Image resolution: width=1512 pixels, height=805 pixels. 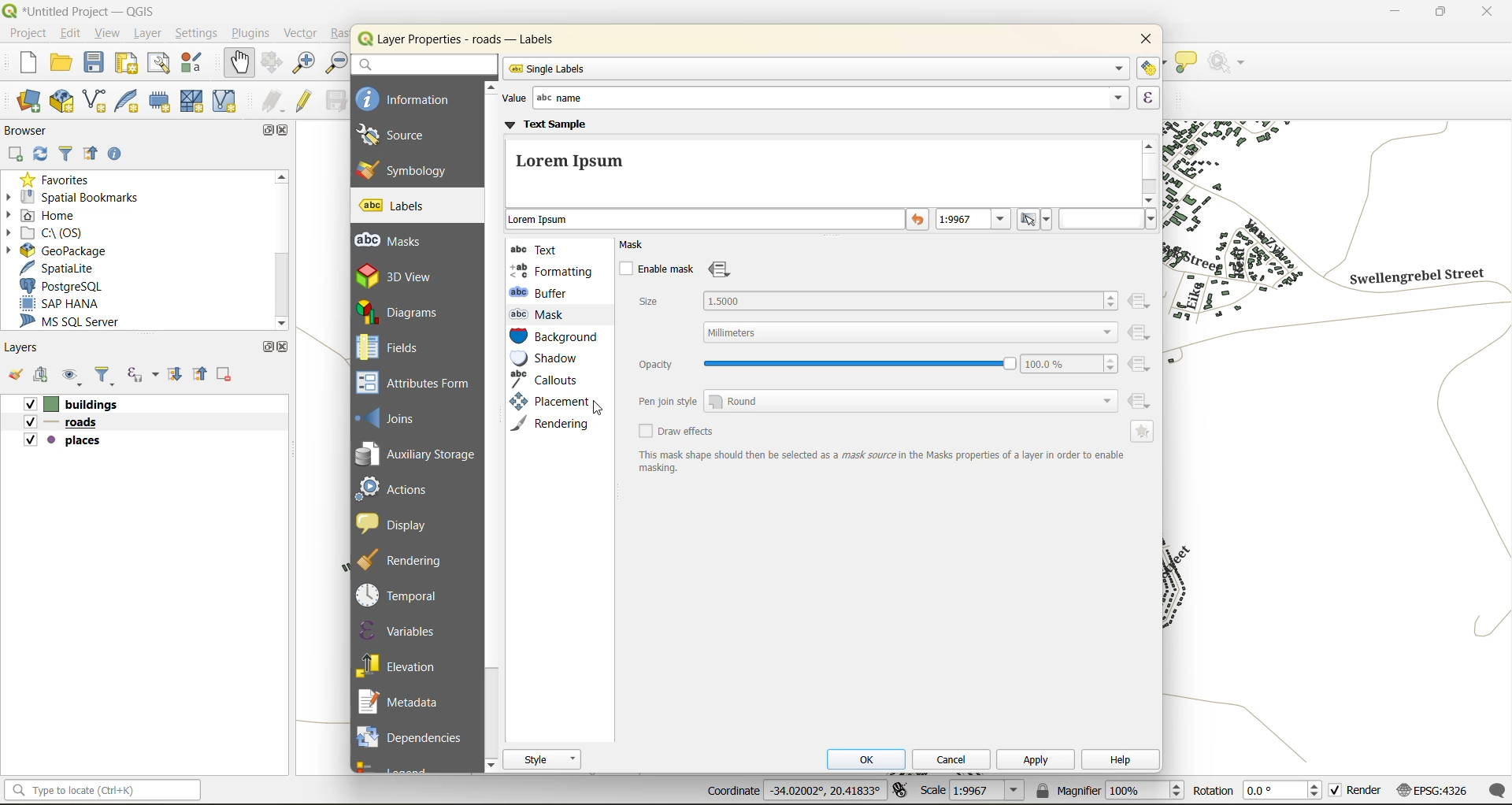 What do you see at coordinates (721, 270) in the screenshot?
I see `data defined override` at bounding box center [721, 270].